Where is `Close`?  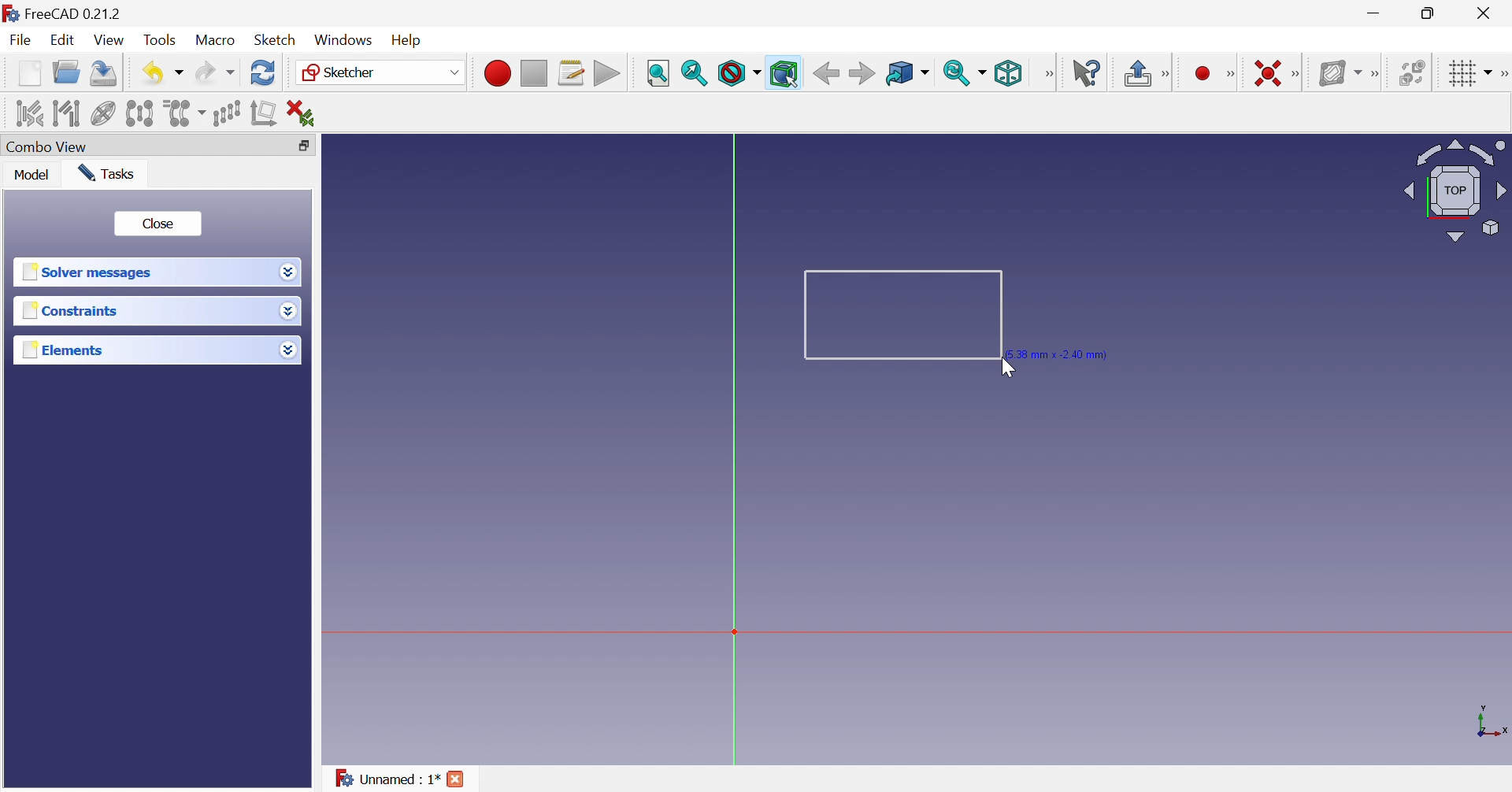 Close is located at coordinates (1484, 13).